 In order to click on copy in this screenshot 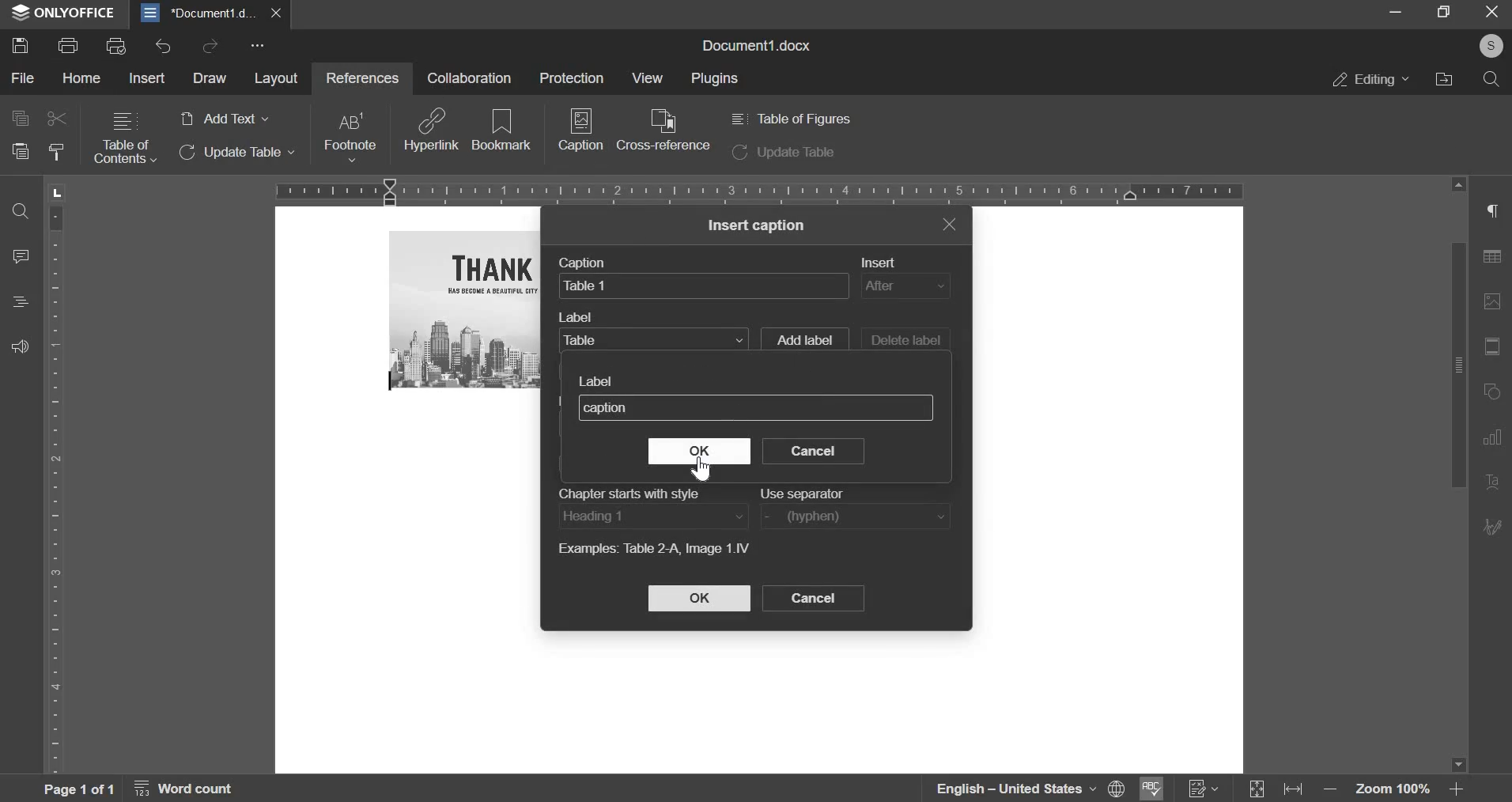, I will do `click(19, 117)`.